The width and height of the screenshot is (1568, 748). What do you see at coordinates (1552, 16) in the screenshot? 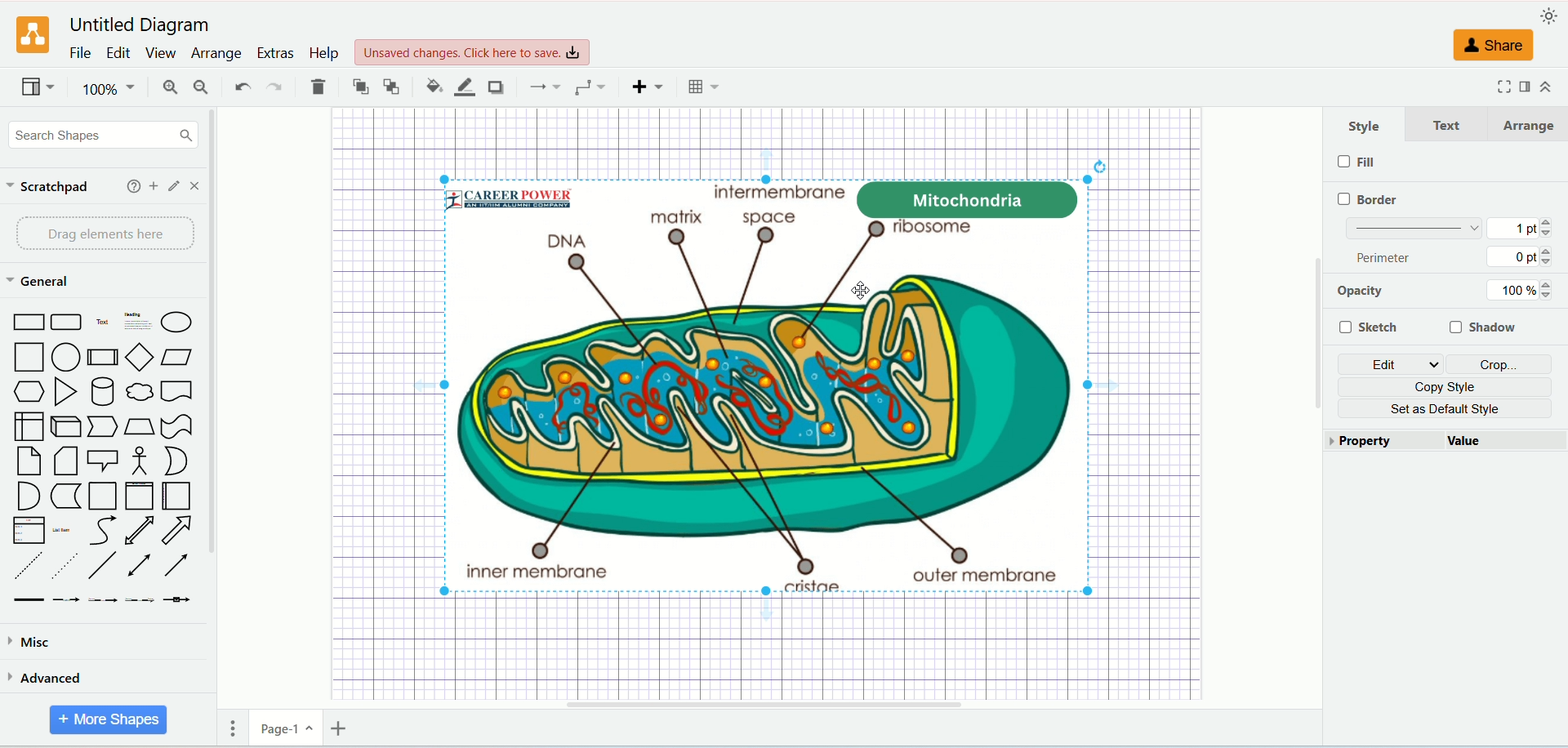
I see `appearance` at bounding box center [1552, 16].